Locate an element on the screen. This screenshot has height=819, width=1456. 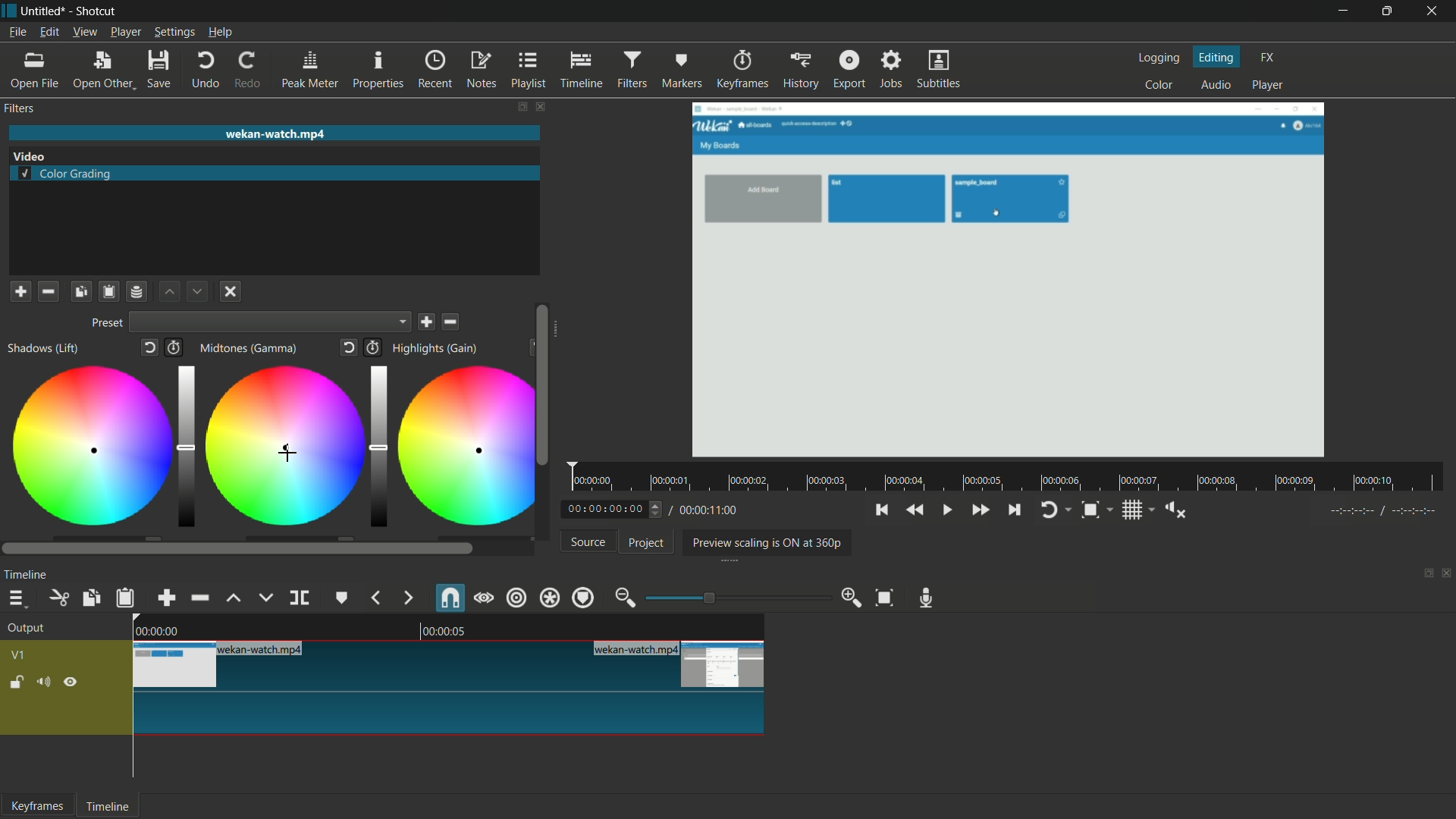
audio is located at coordinates (1216, 86).